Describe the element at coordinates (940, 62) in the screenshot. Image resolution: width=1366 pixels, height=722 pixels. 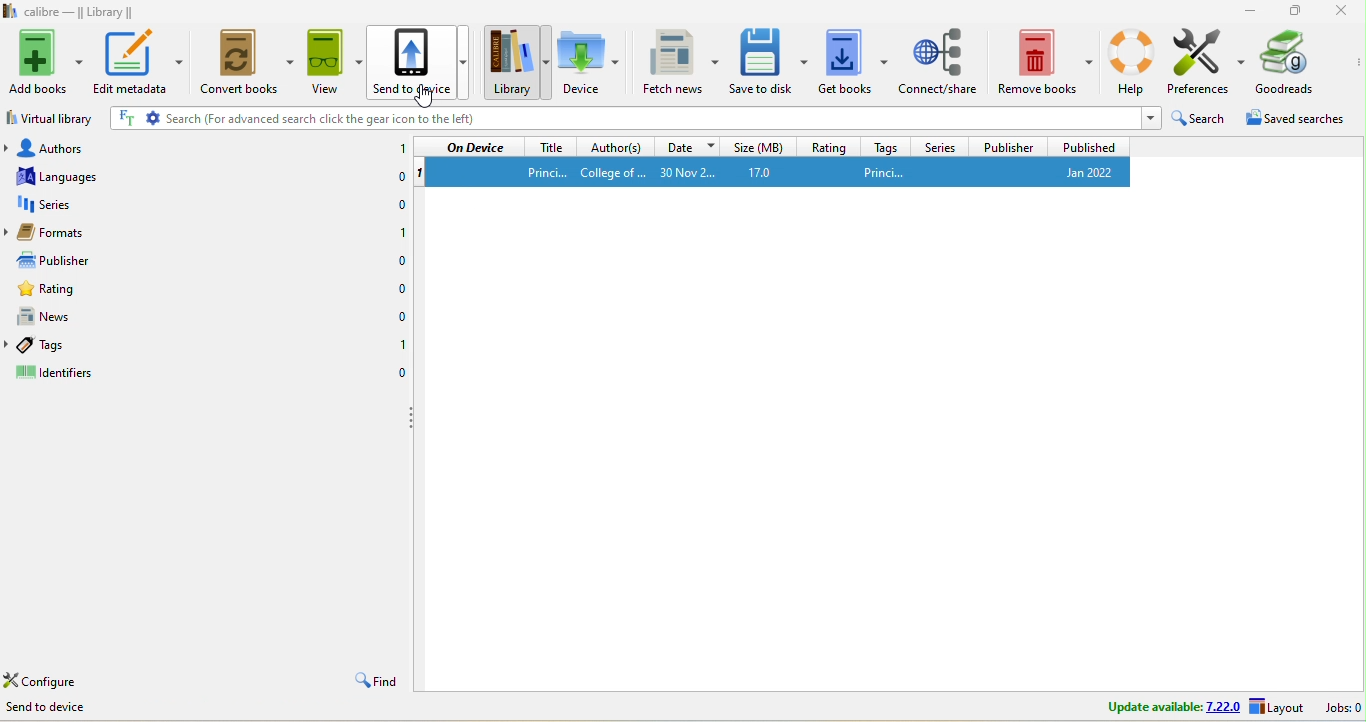
I see `connect/share` at that location.